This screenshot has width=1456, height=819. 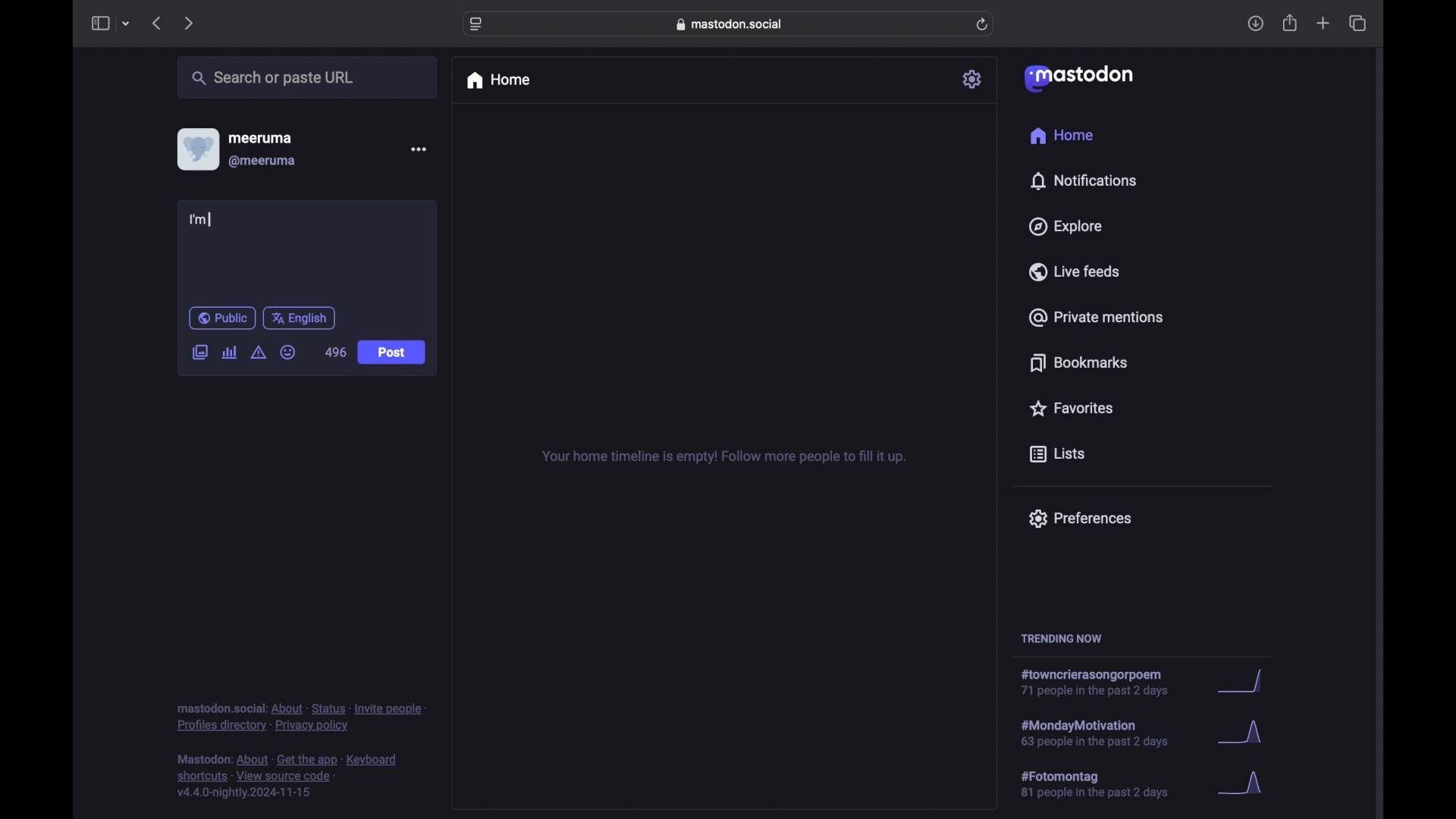 I want to click on notifications, so click(x=1083, y=181).